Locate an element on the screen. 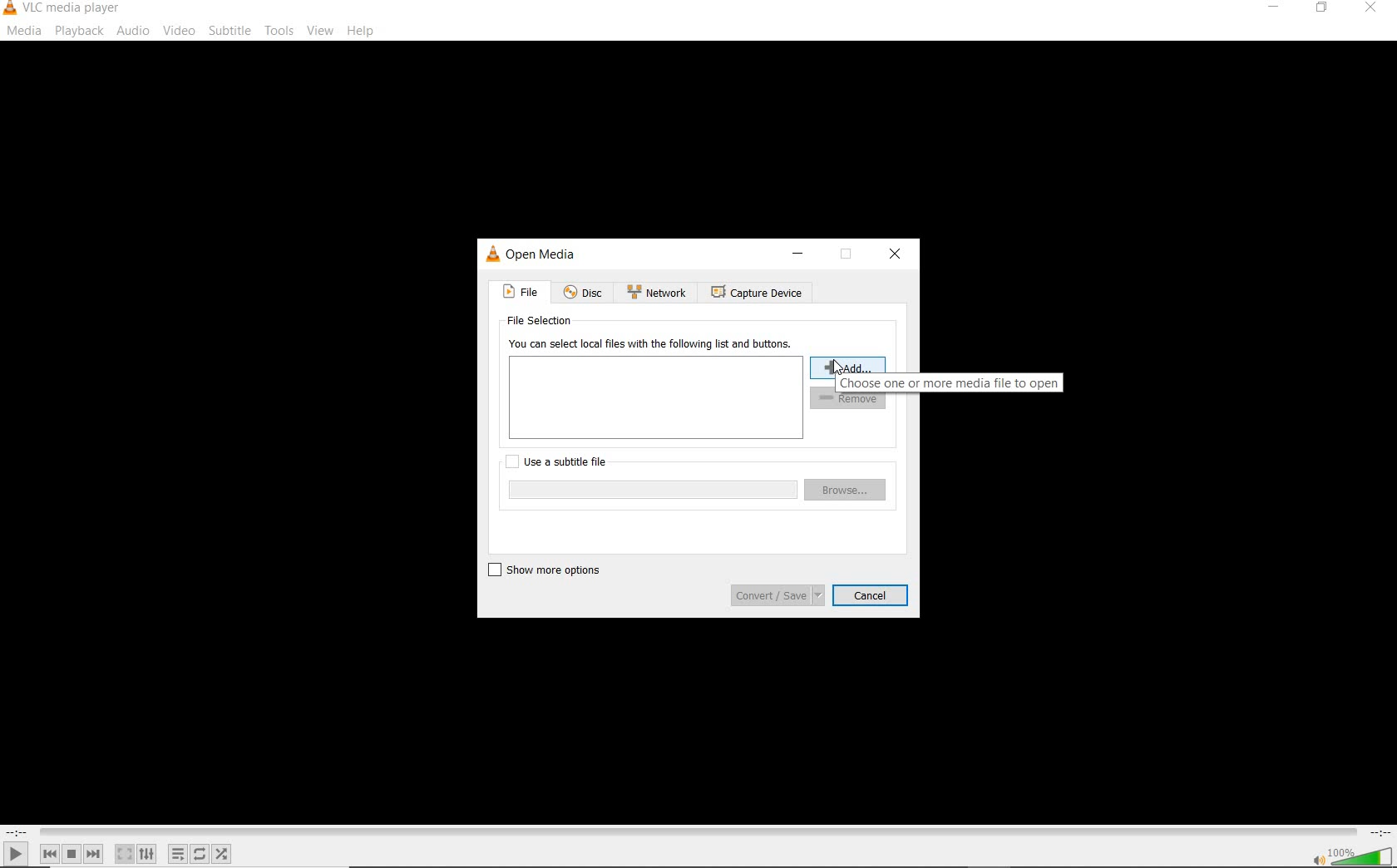 The width and height of the screenshot is (1397, 868). audio is located at coordinates (135, 31).